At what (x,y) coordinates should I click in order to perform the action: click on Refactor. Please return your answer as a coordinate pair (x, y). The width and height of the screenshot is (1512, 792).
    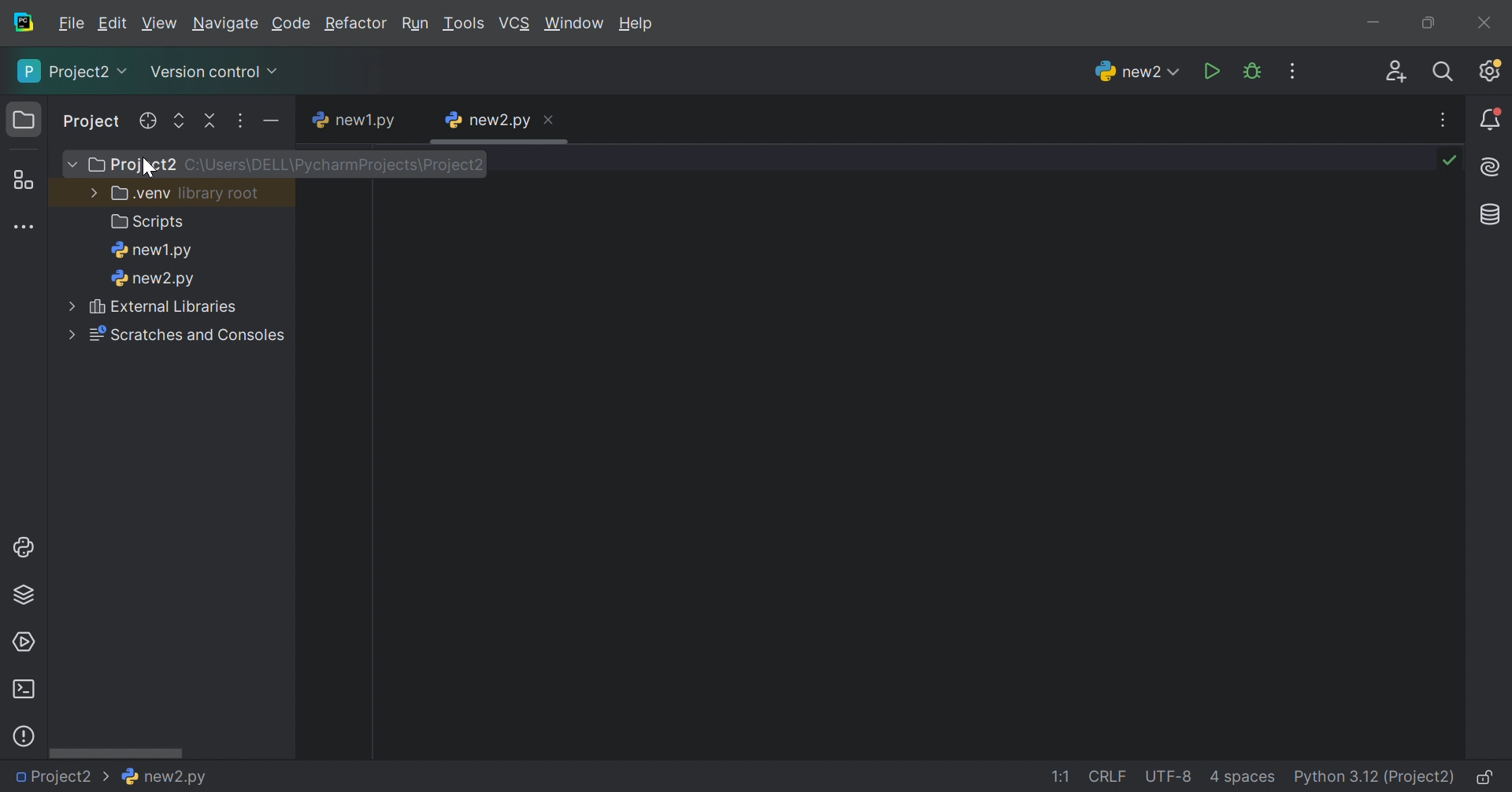
    Looking at the image, I should click on (359, 23).